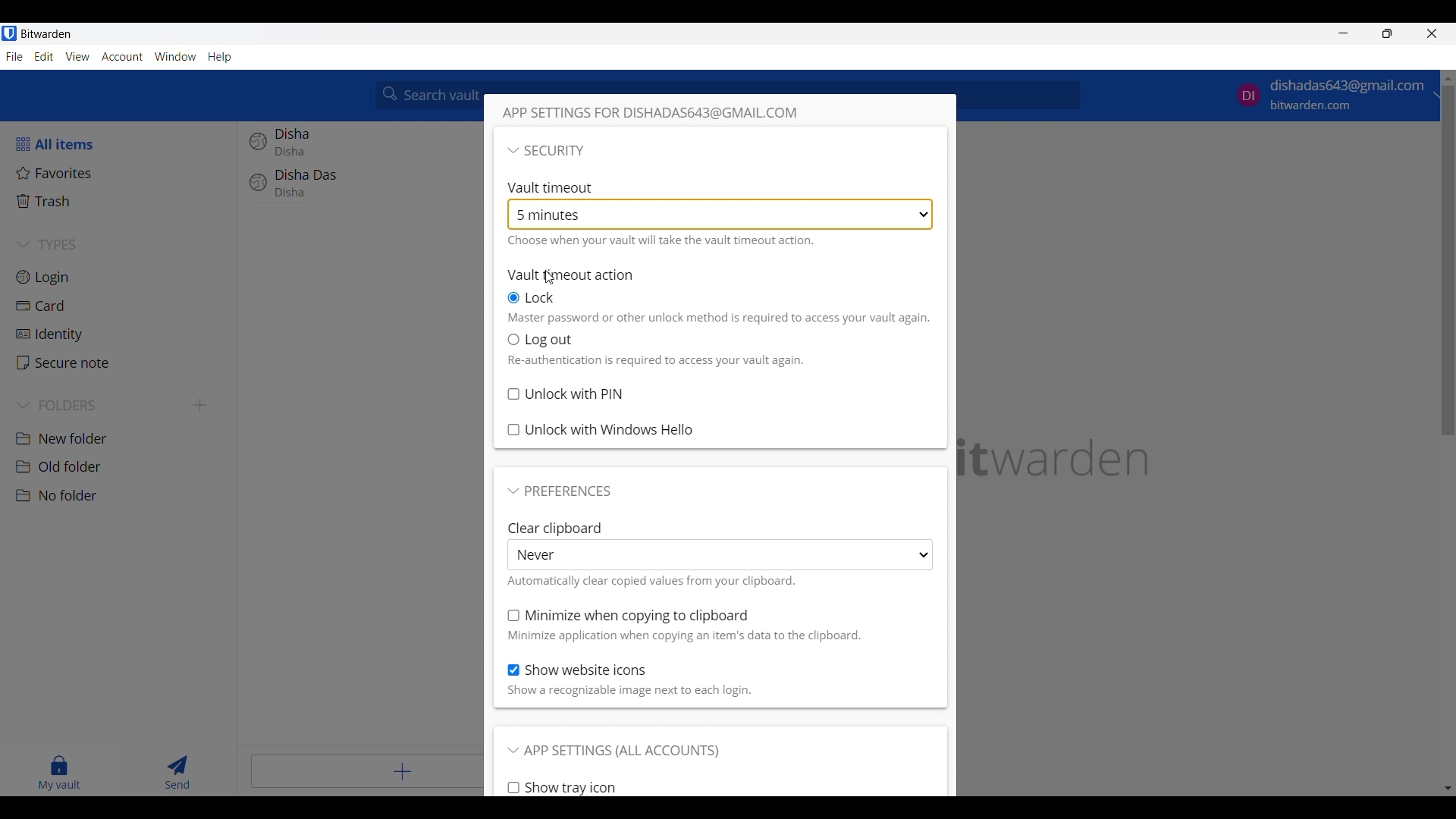  I want to click on Vault timeout action, subsection, so click(573, 274).